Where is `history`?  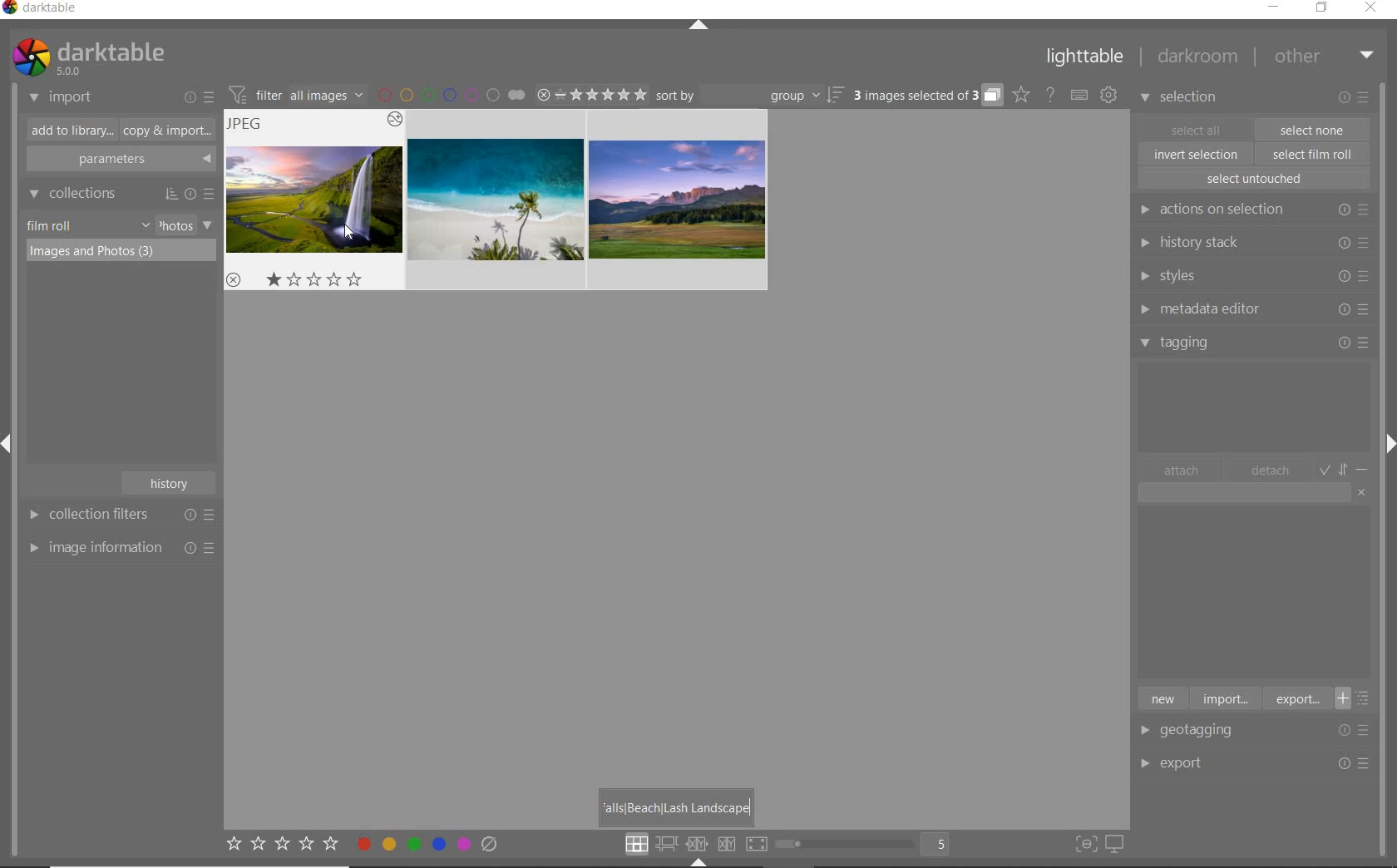 history is located at coordinates (171, 481).